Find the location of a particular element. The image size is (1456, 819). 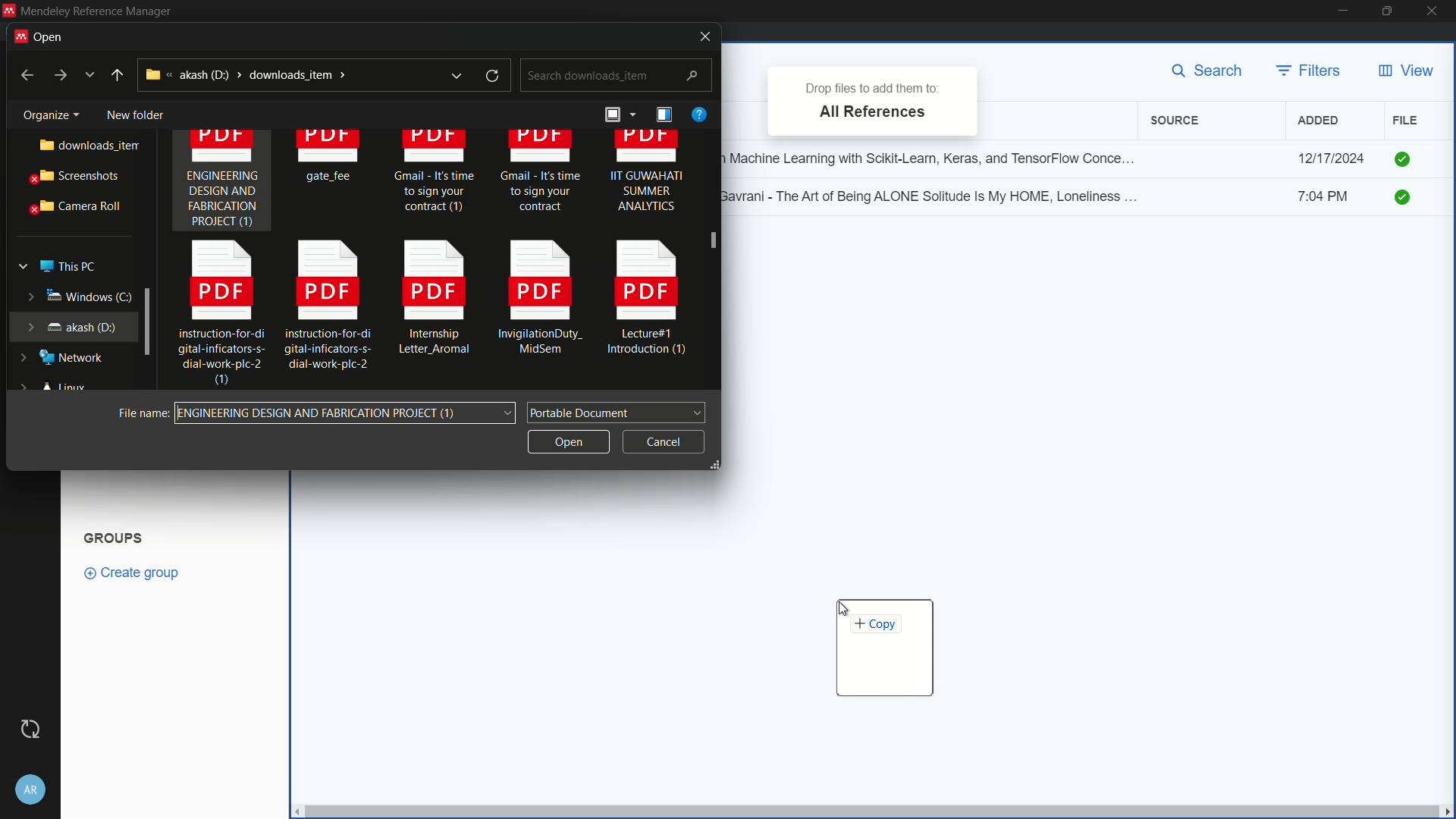

Lecture#1
Introduction (1) is located at coordinates (649, 302).